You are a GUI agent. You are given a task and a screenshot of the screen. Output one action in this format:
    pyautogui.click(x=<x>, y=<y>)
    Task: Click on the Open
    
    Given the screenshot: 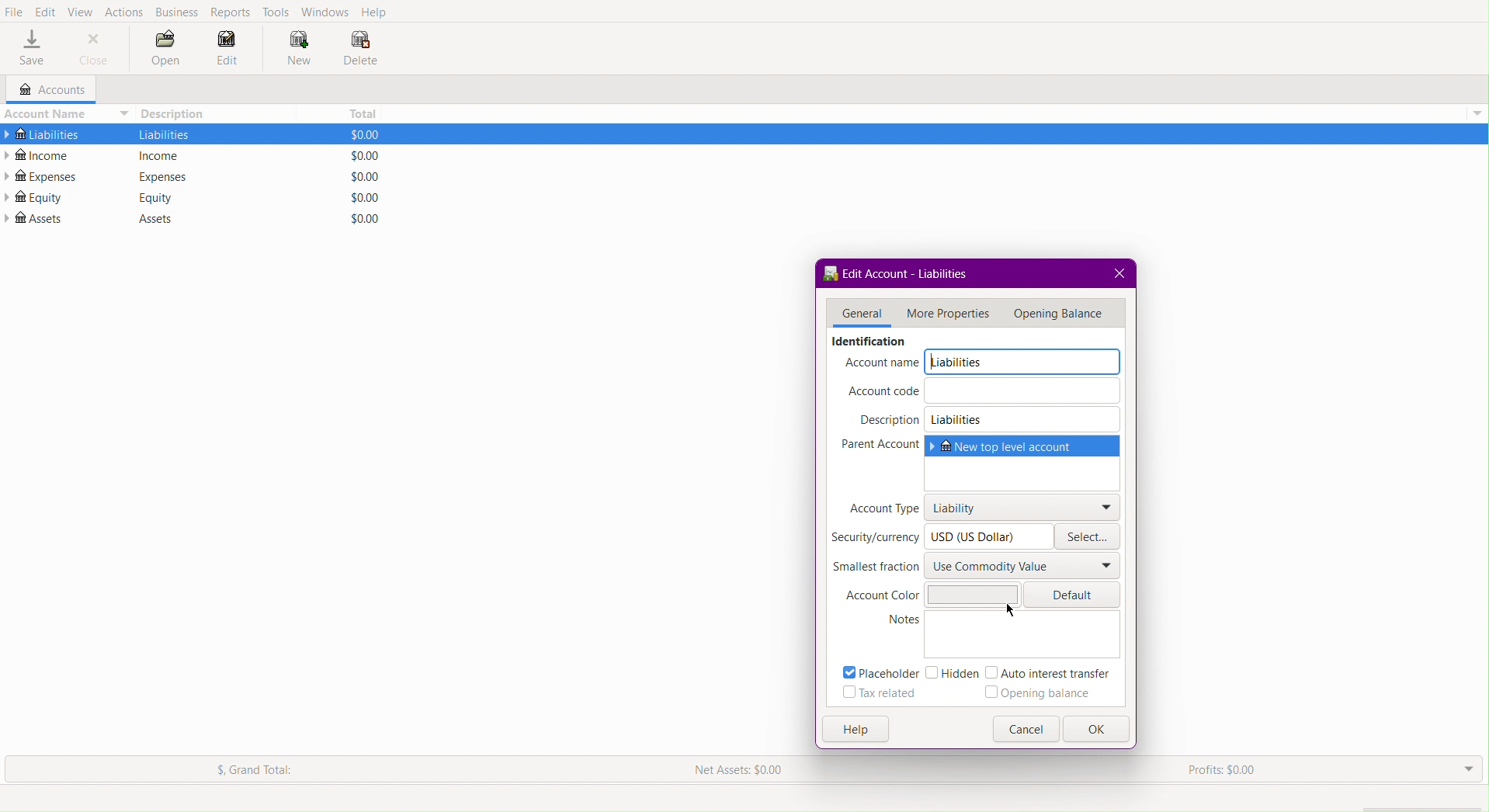 What is the action you would take?
    pyautogui.click(x=166, y=50)
    